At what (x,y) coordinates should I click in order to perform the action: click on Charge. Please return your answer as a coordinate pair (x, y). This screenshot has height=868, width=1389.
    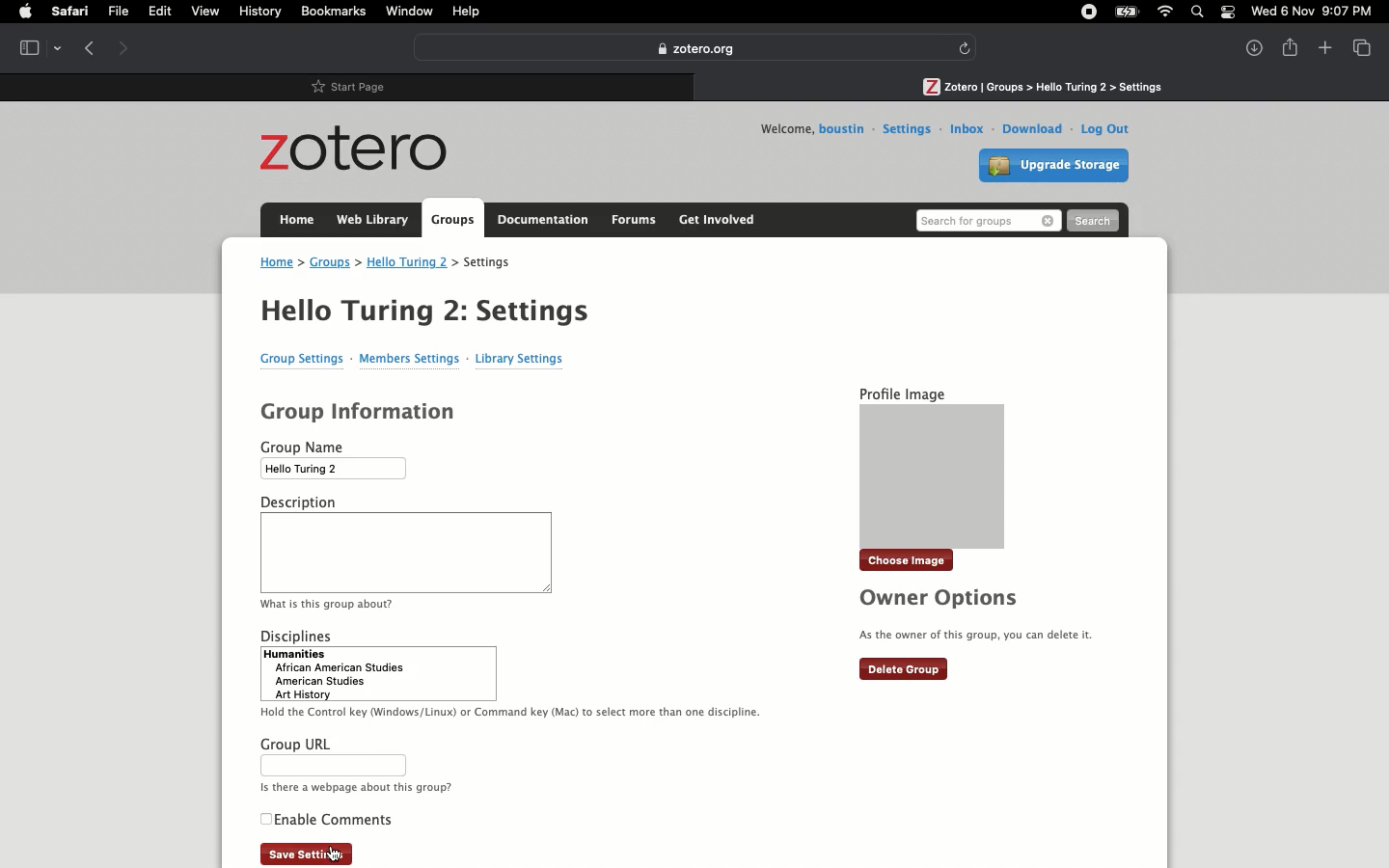
    Looking at the image, I should click on (1123, 12).